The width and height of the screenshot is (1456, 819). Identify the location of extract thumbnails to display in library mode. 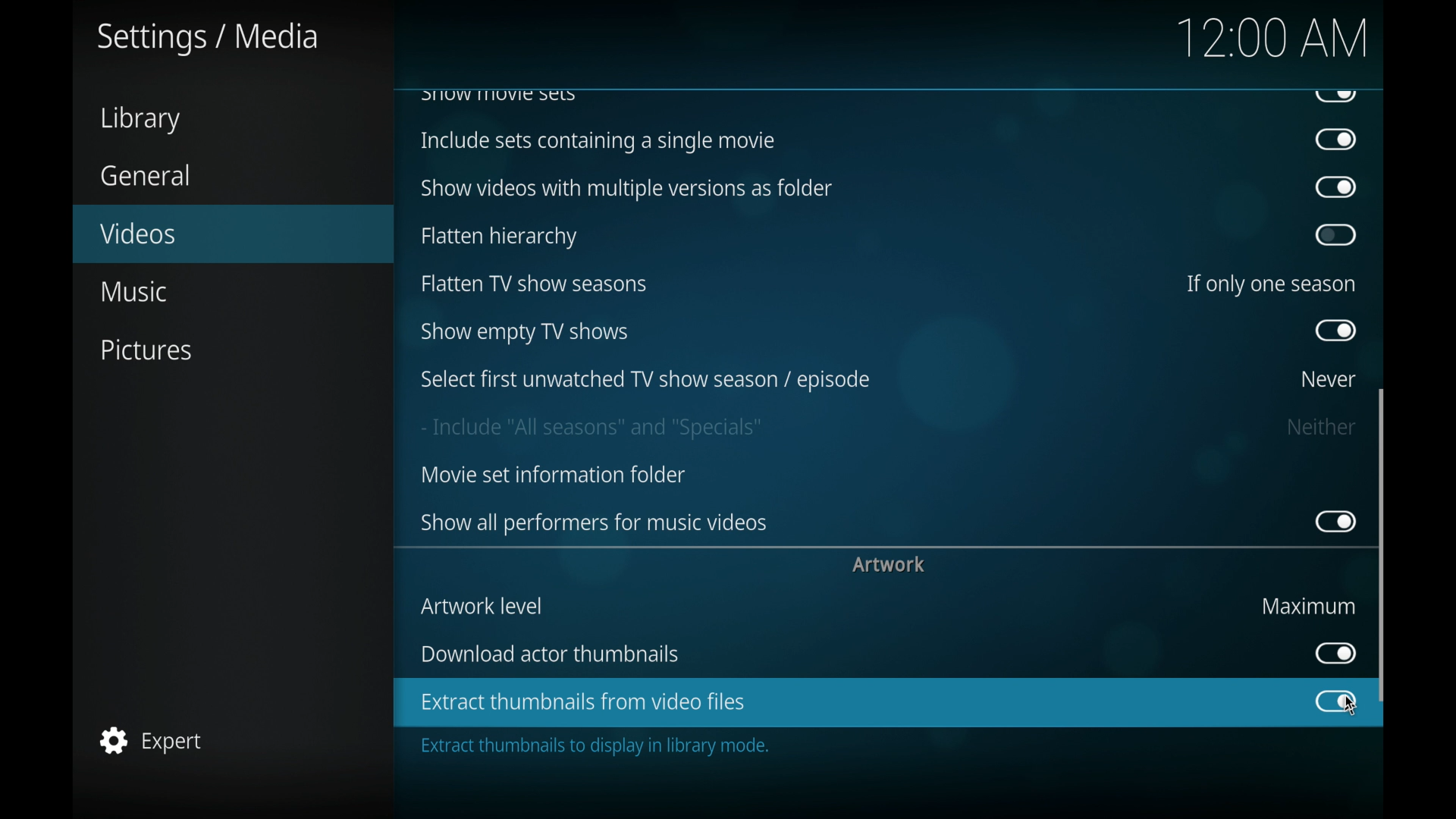
(597, 748).